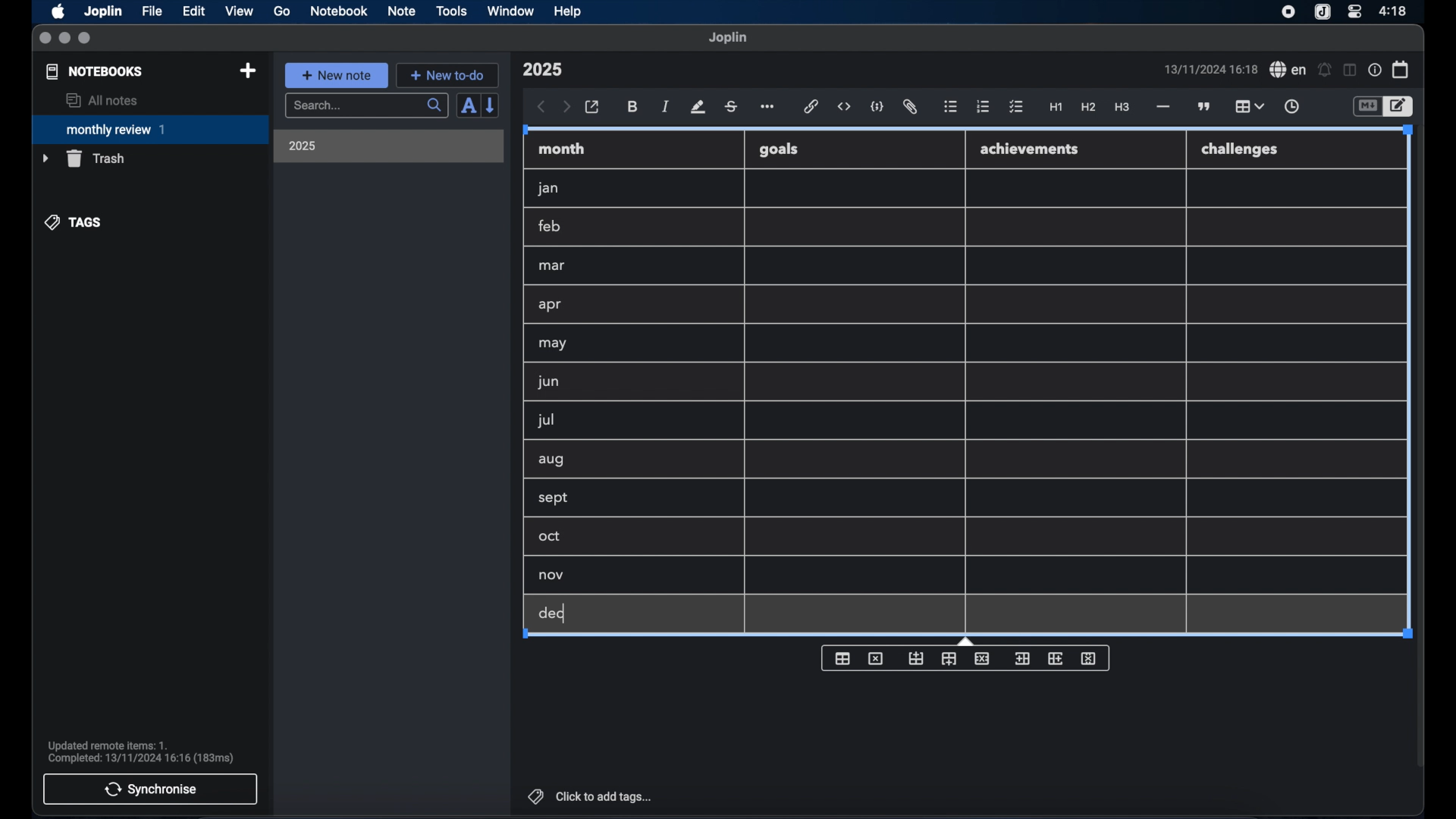  I want to click on apr, so click(551, 305).